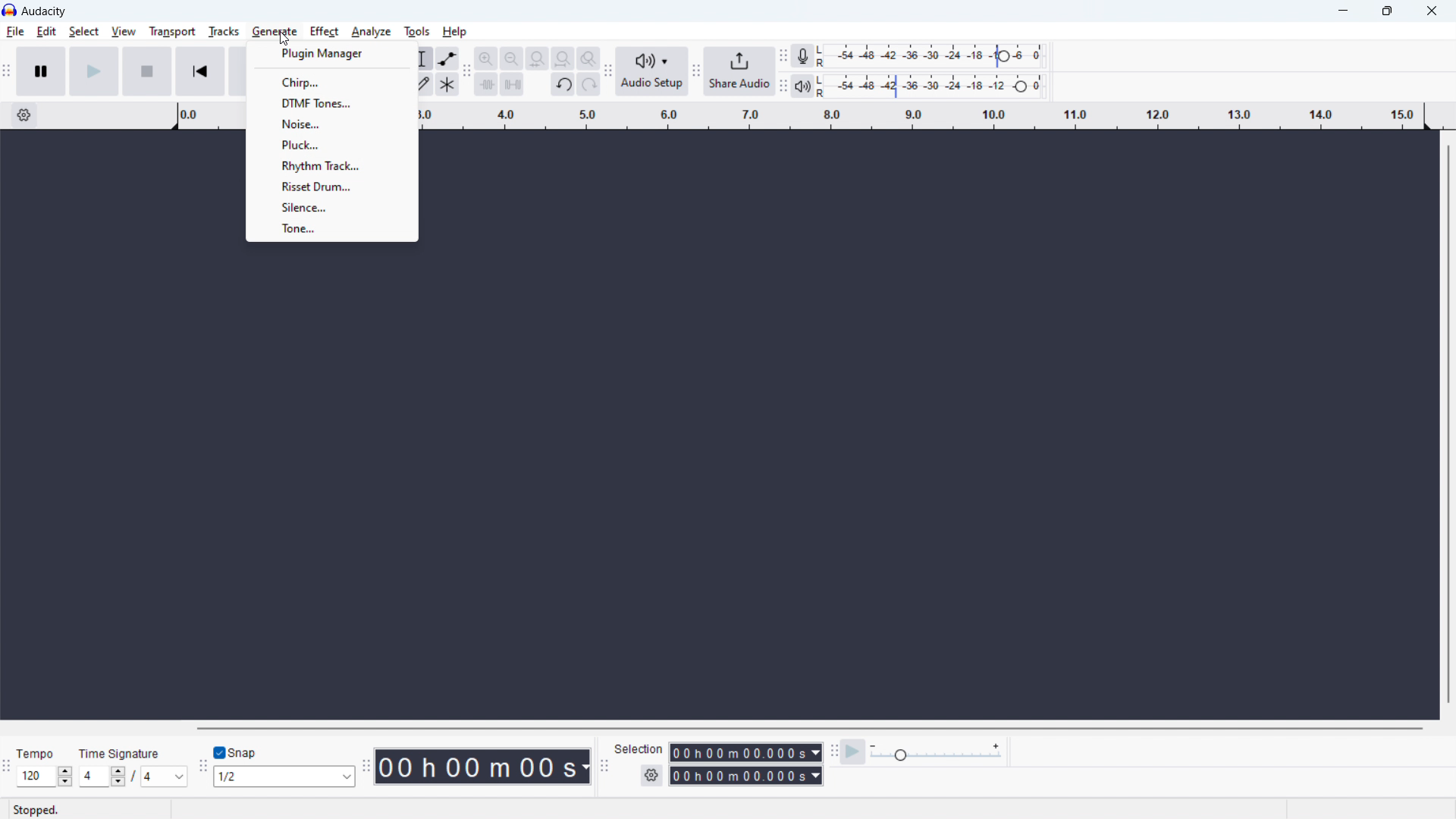  What do you see at coordinates (124, 32) in the screenshot?
I see `view` at bounding box center [124, 32].